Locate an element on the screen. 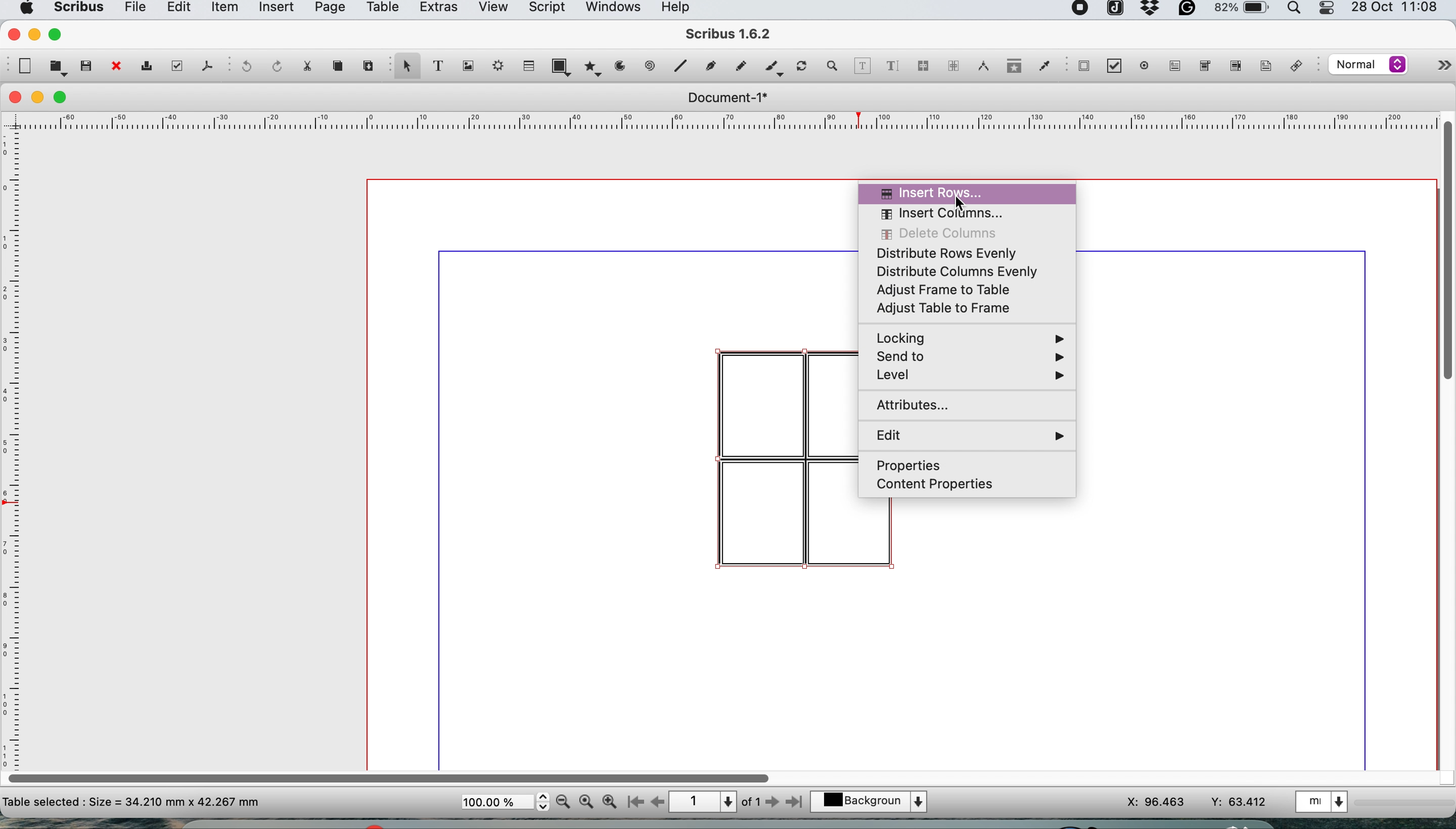  edit is located at coordinates (177, 9).